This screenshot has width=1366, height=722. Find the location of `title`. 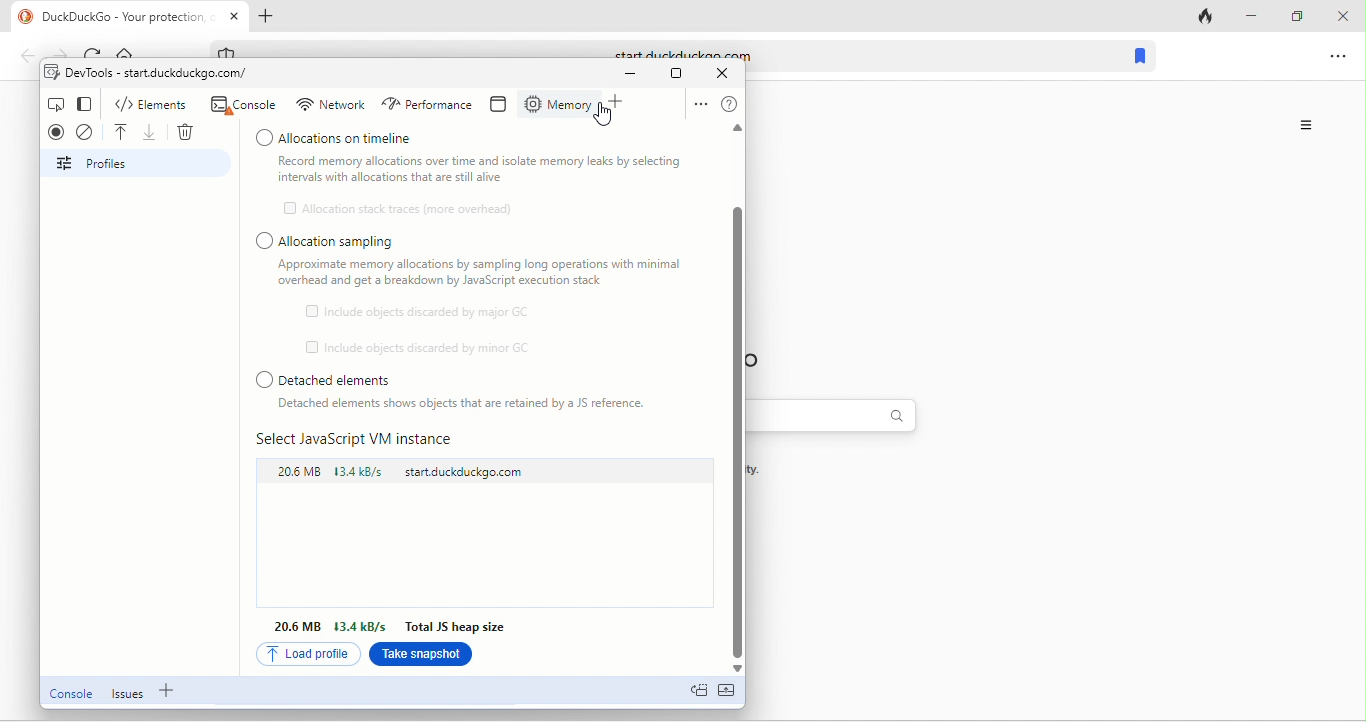

title is located at coordinates (129, 17).